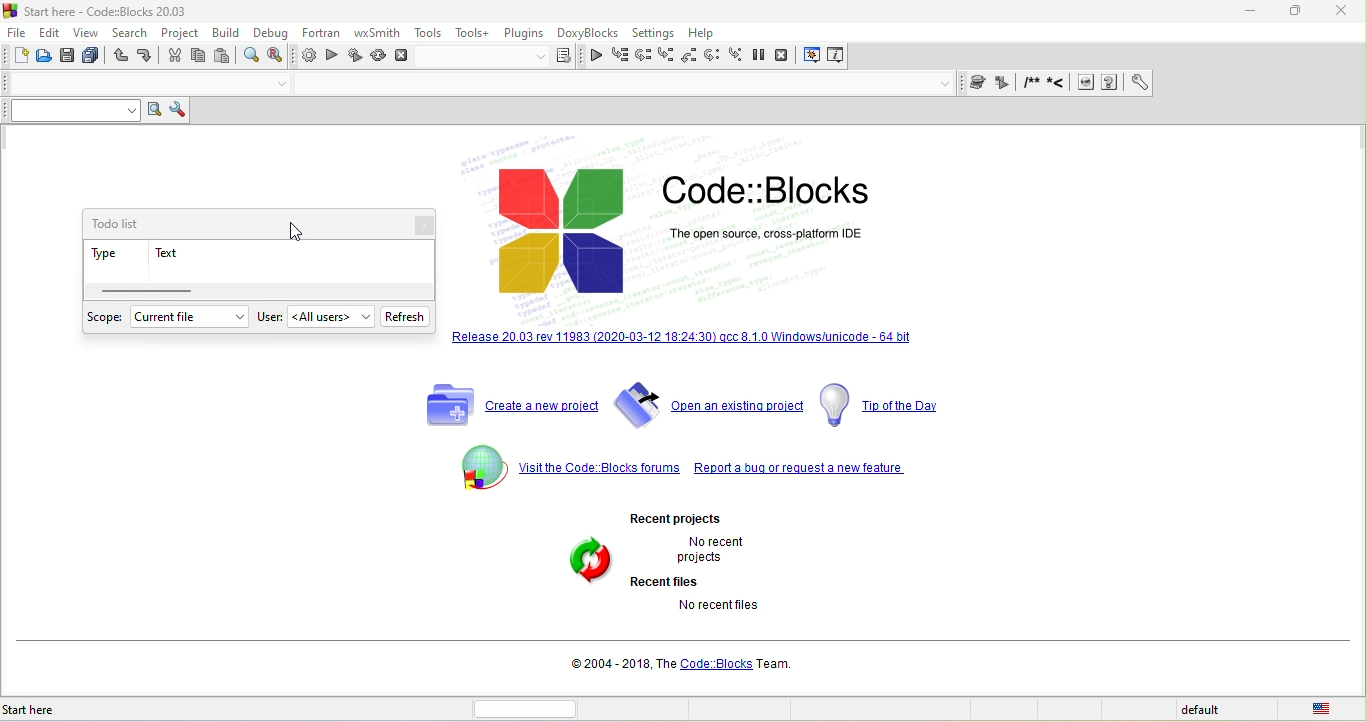 Image resolution: width=1366 pixels, height=722 pixels. I want to click on build , so click(307, 58).